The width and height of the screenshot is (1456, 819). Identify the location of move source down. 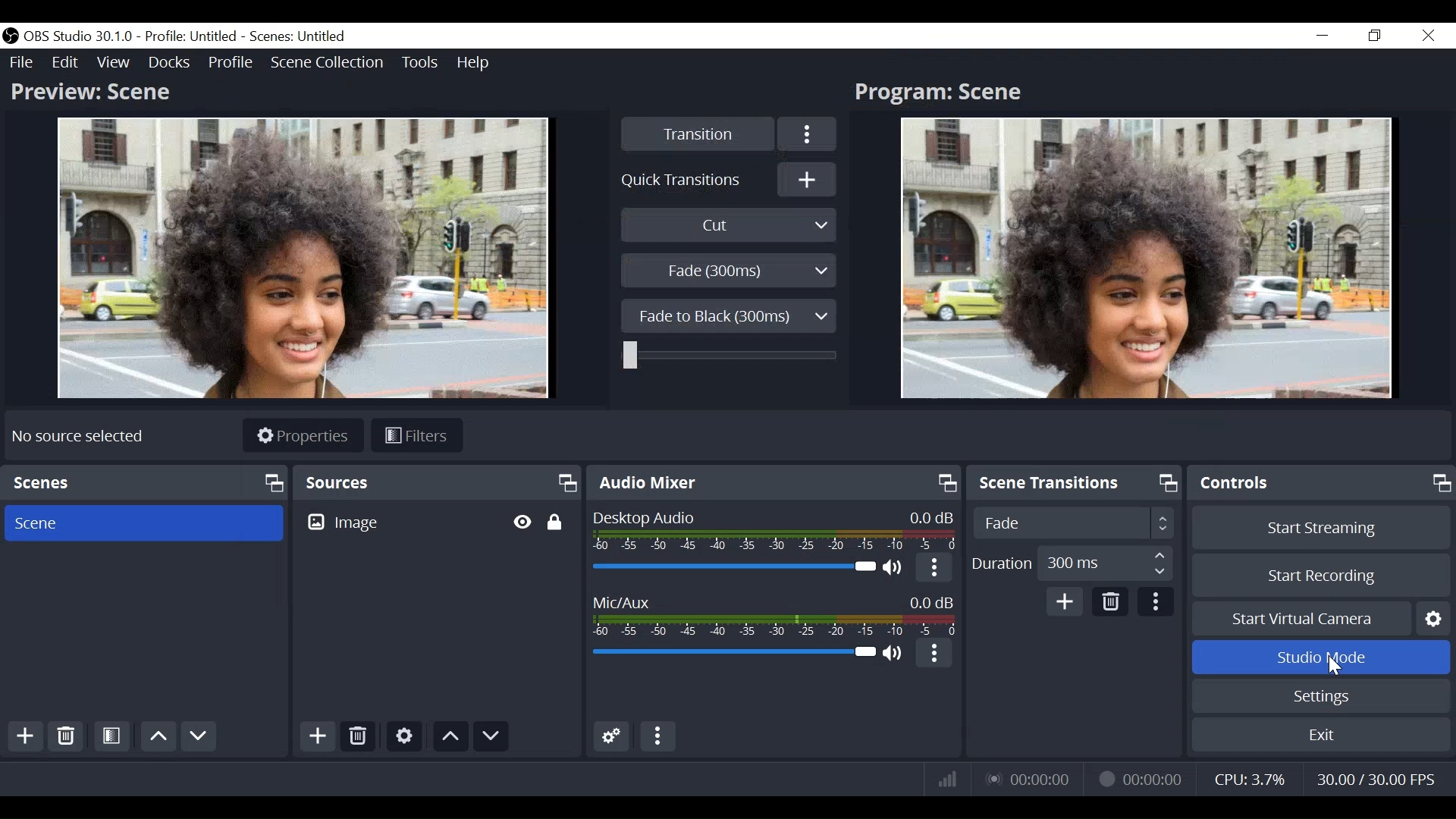
(492, 737).